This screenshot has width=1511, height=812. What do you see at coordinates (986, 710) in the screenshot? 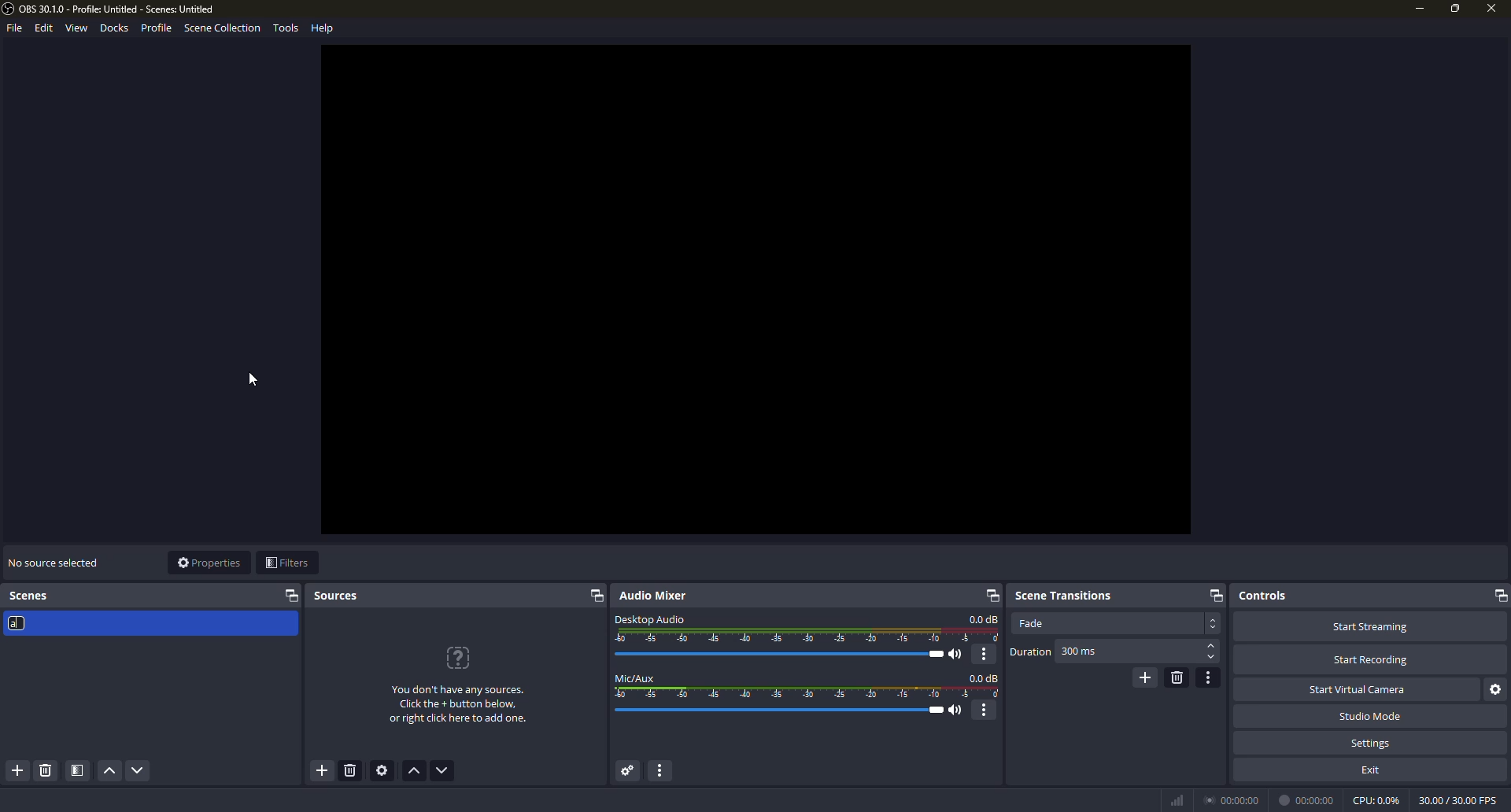
I see `options` at bounding box center [986, 710].